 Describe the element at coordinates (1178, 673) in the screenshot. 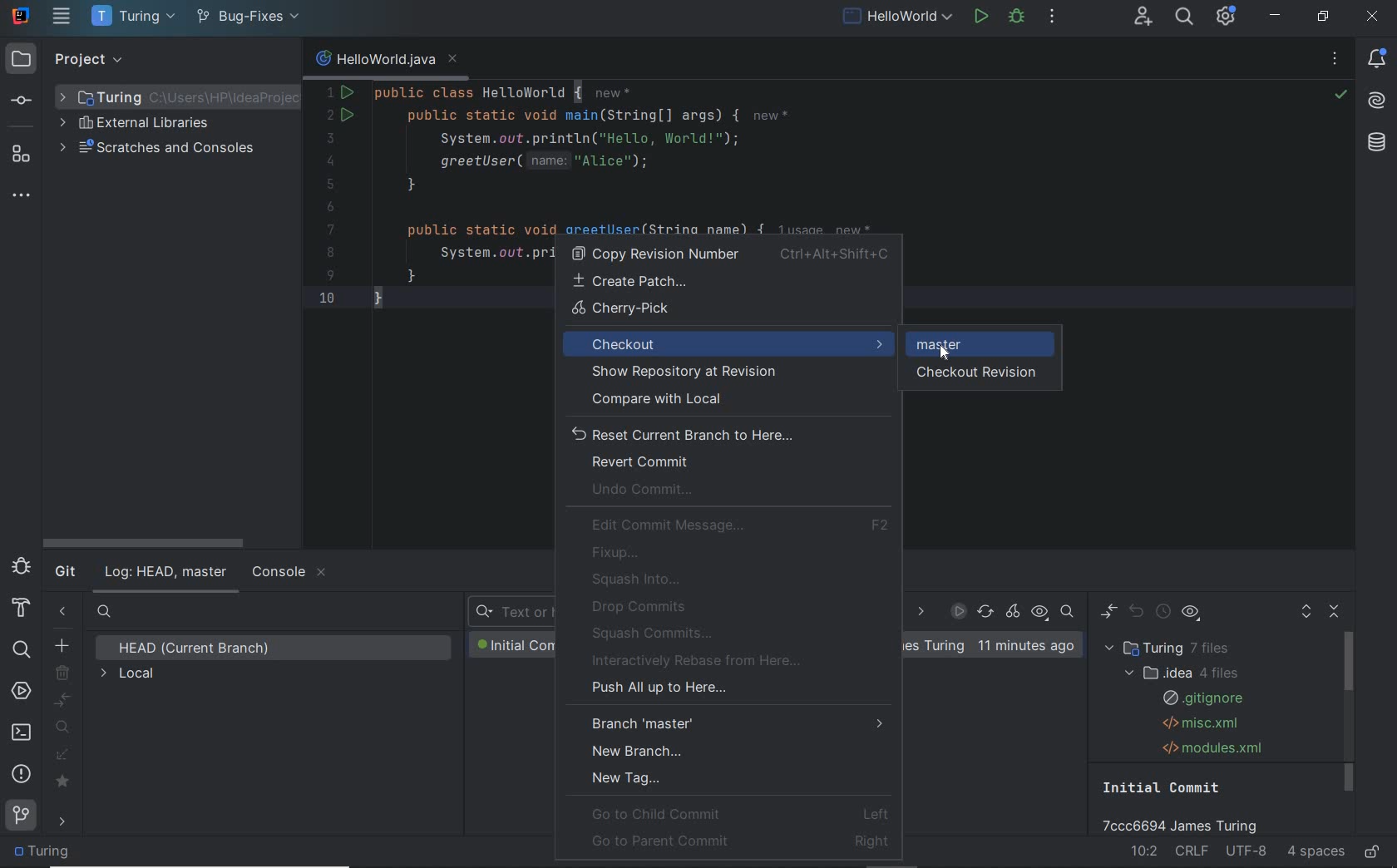

I see `.idea 4 files` at that location.